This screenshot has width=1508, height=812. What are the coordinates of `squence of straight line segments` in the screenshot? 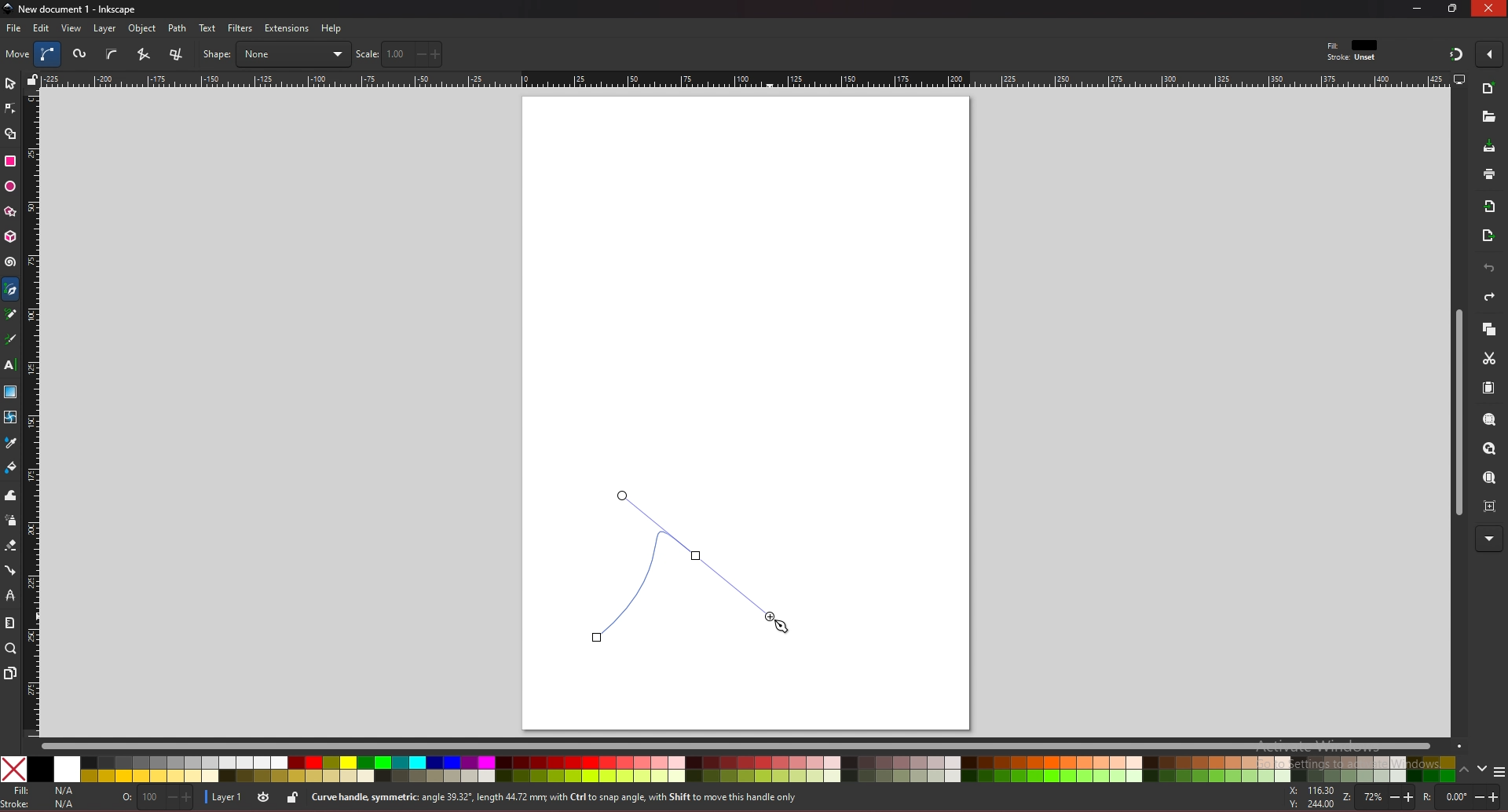 It's located at (143, 54).